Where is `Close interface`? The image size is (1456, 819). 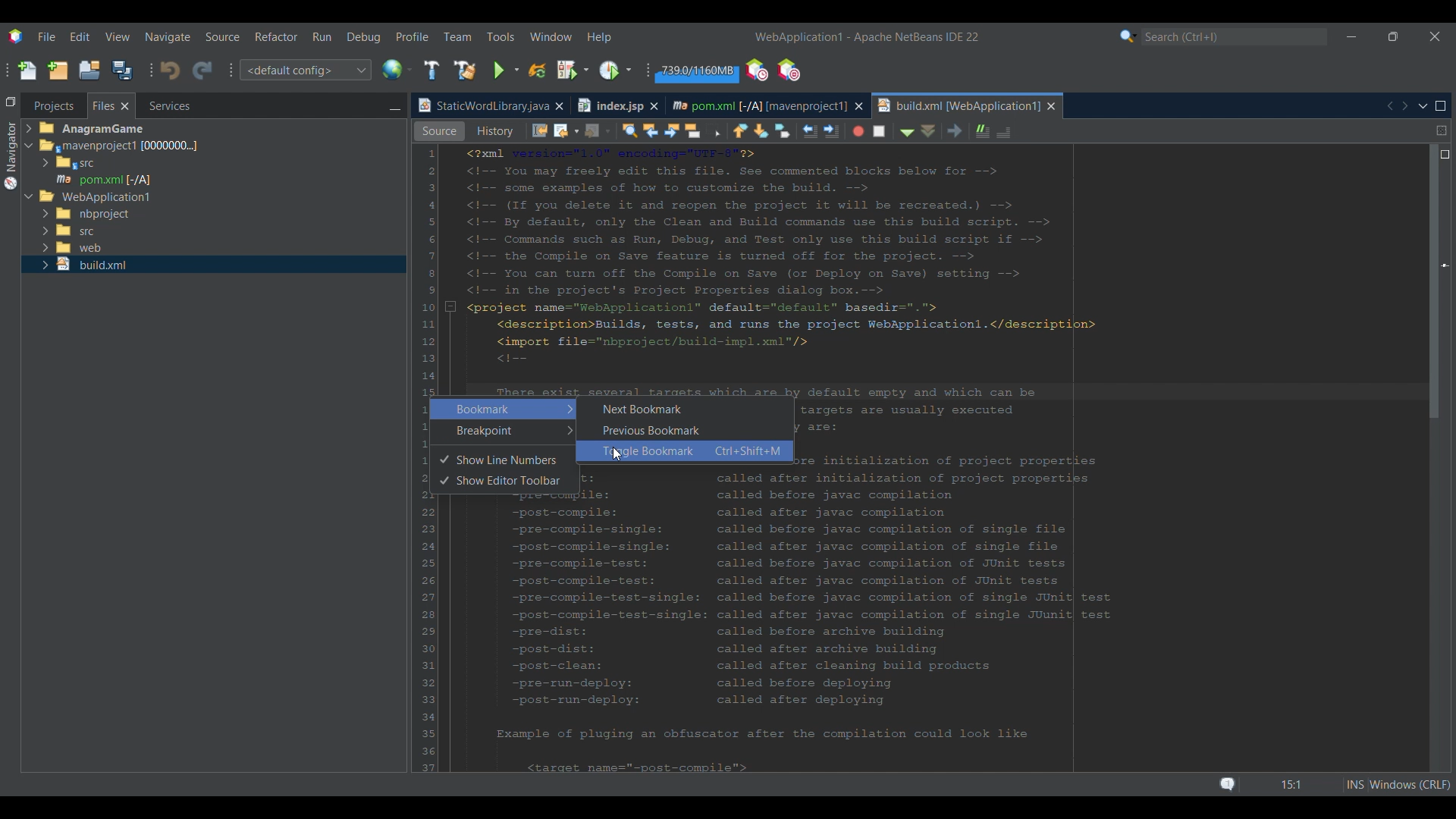
Close interface is located at coordinates (1436, 36).